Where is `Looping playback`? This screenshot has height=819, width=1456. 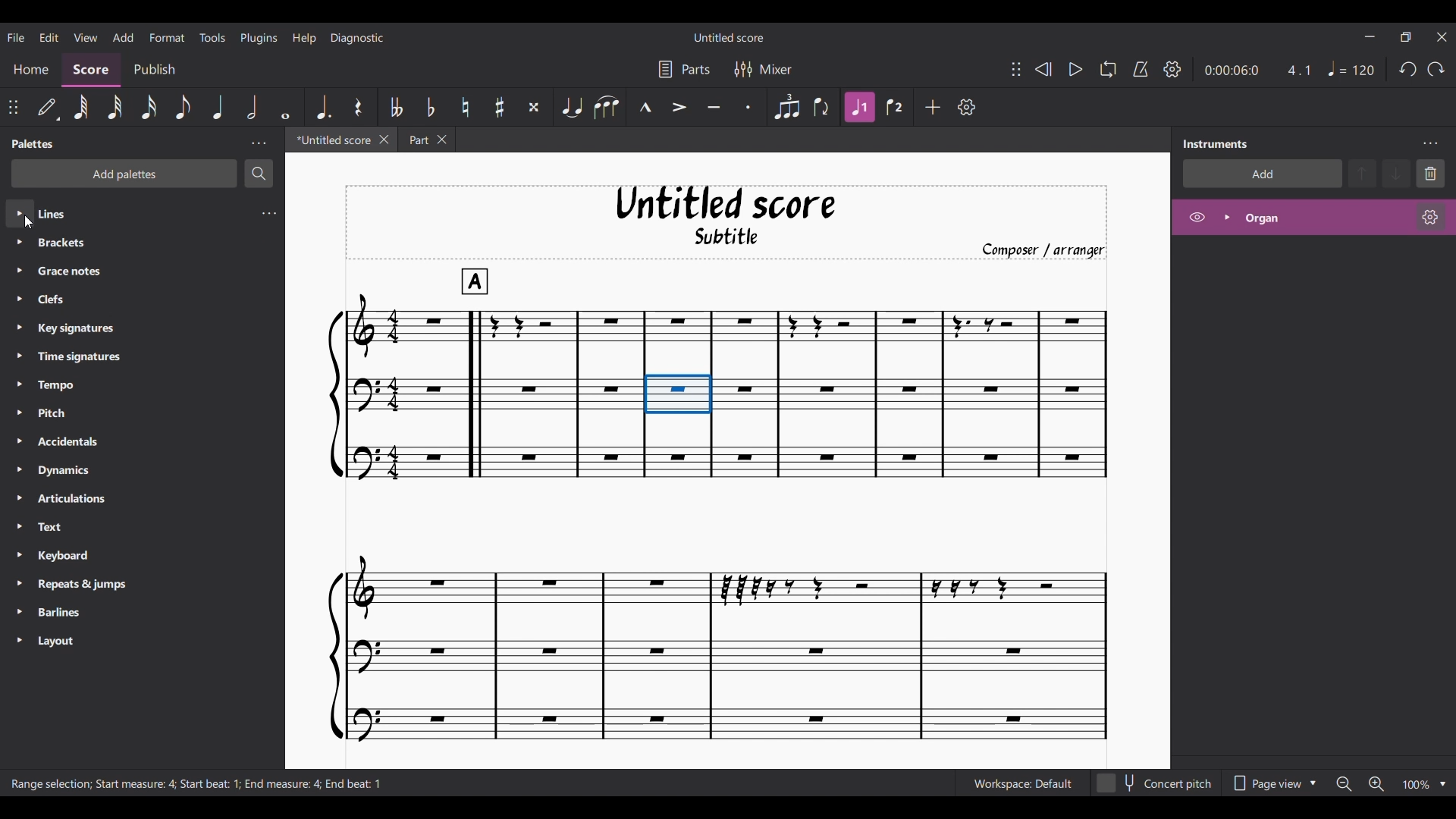 Looping playback is located at coordinates (1108, 69).